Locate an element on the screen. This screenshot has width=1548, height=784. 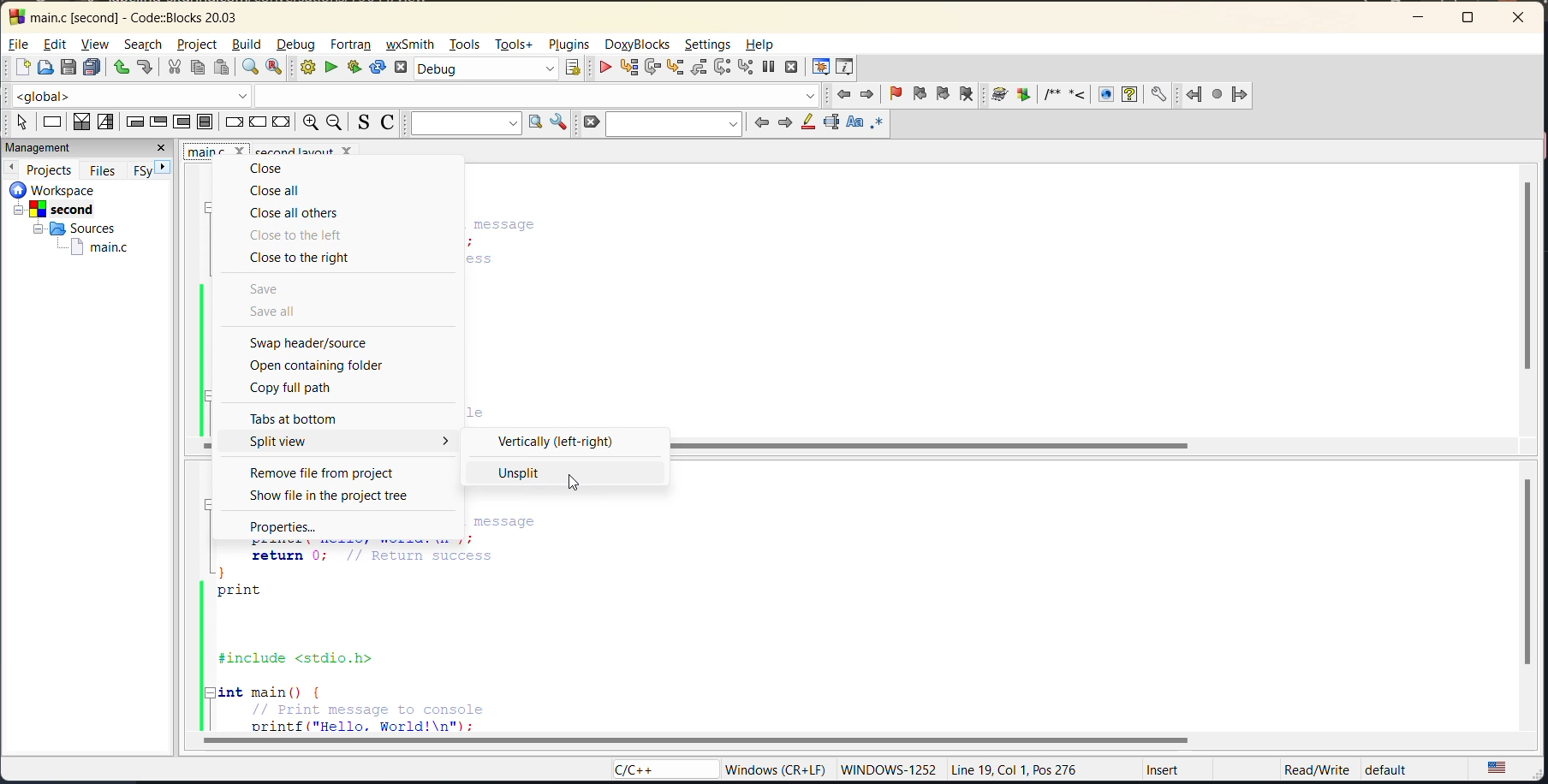
zoom in is located at coordinates (310, 121).